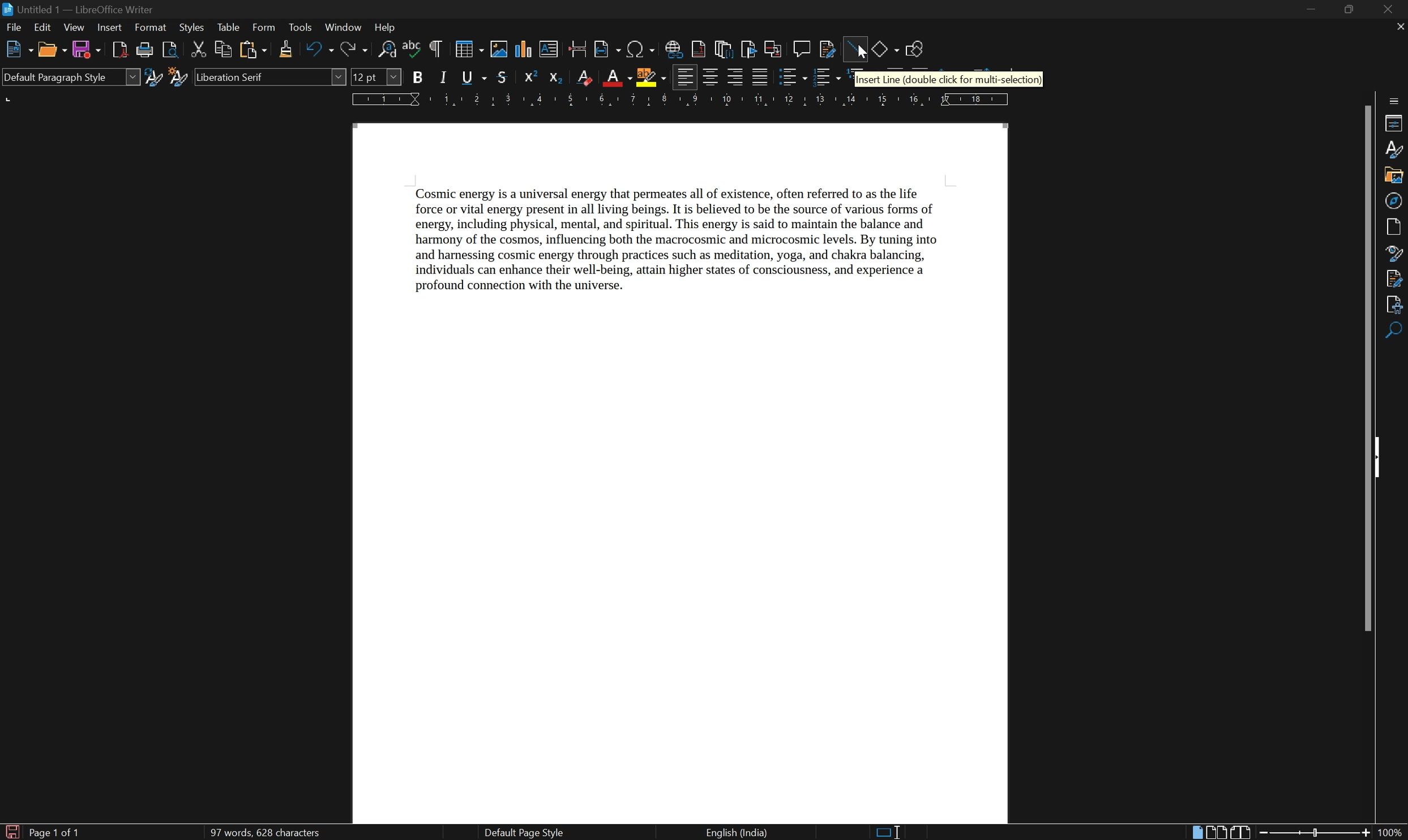 The height and width of the screenshot is (840, 1408). What do you see at coordinates (674, 49) in the screenshot?
I see `insert hyperlink` at bounding box center [674, 49].